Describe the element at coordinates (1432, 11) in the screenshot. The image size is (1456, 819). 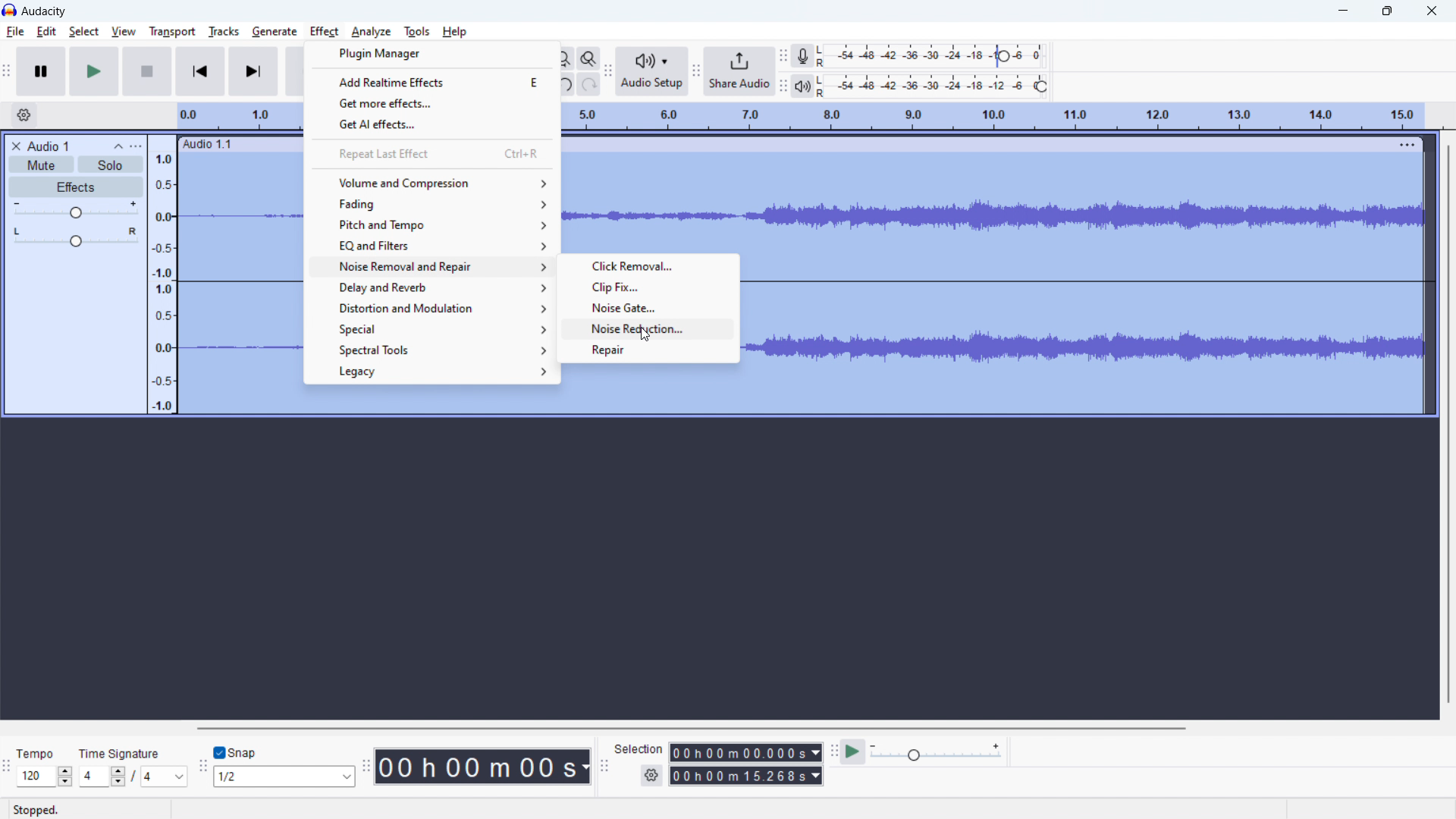
I see `close` at that location.